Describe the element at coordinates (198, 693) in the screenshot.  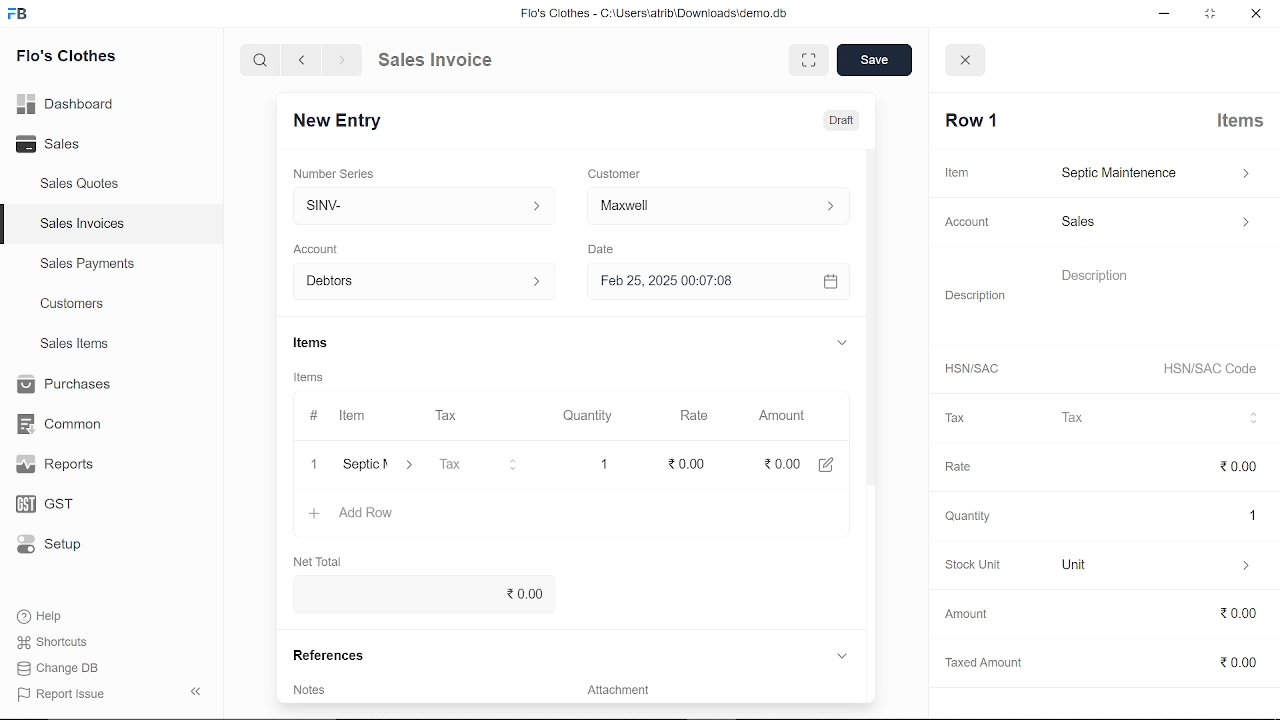
I see `collapse` at that location.